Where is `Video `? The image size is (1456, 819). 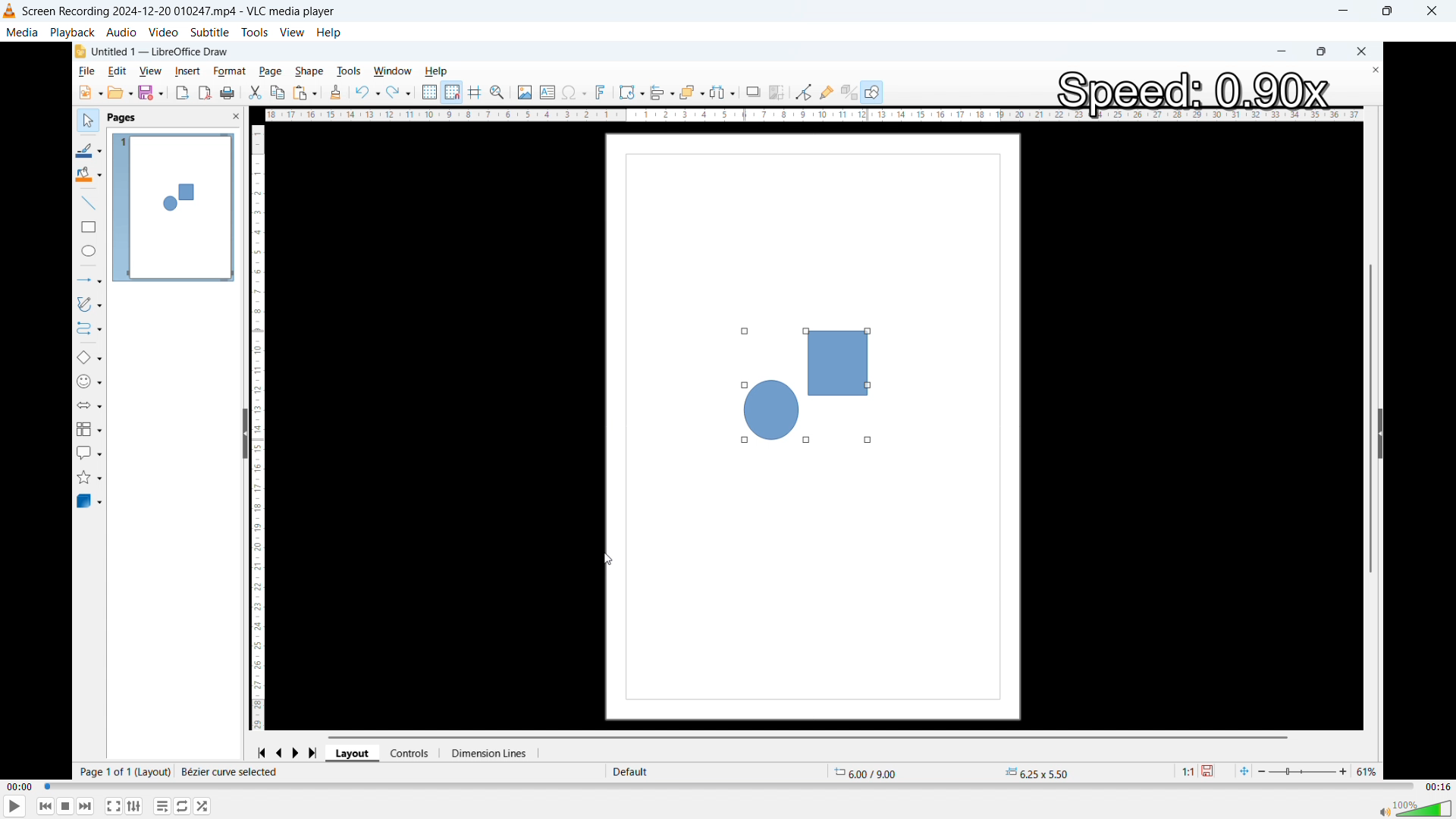
Video  is located at coordinates (163, 33).